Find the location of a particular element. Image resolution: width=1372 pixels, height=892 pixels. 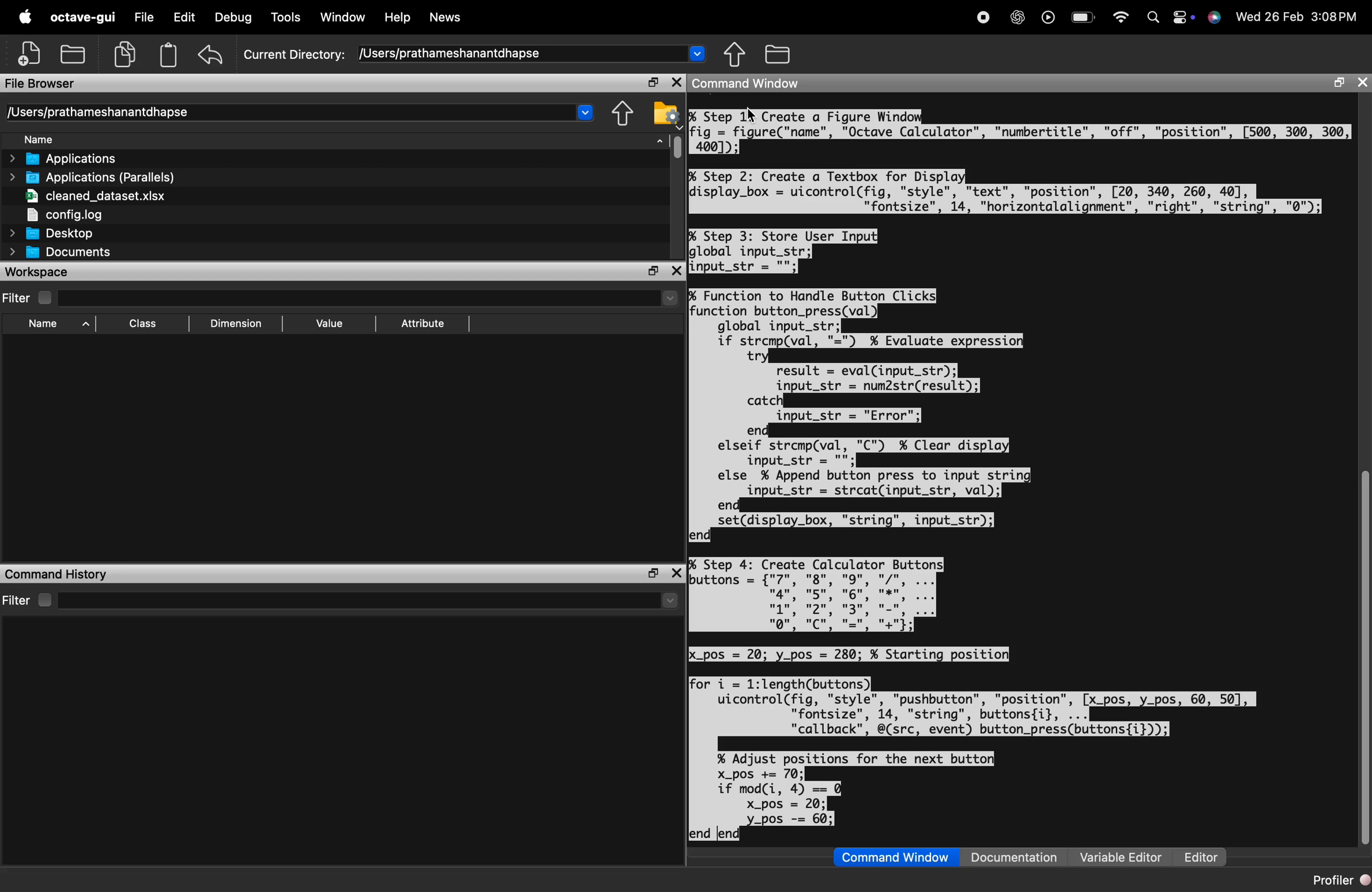

Help is located at coordinates (397, 17).